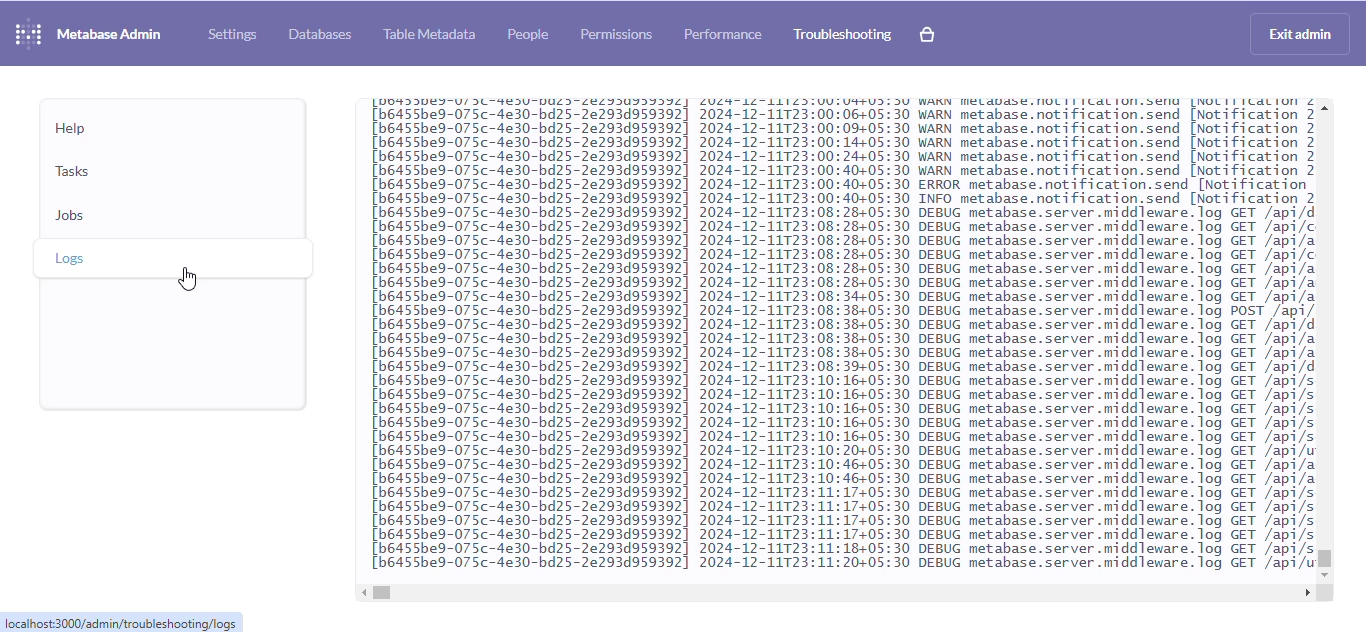 The width and height of the screenshot is (1366, 632). I want to click on settings, so click(232, 35).